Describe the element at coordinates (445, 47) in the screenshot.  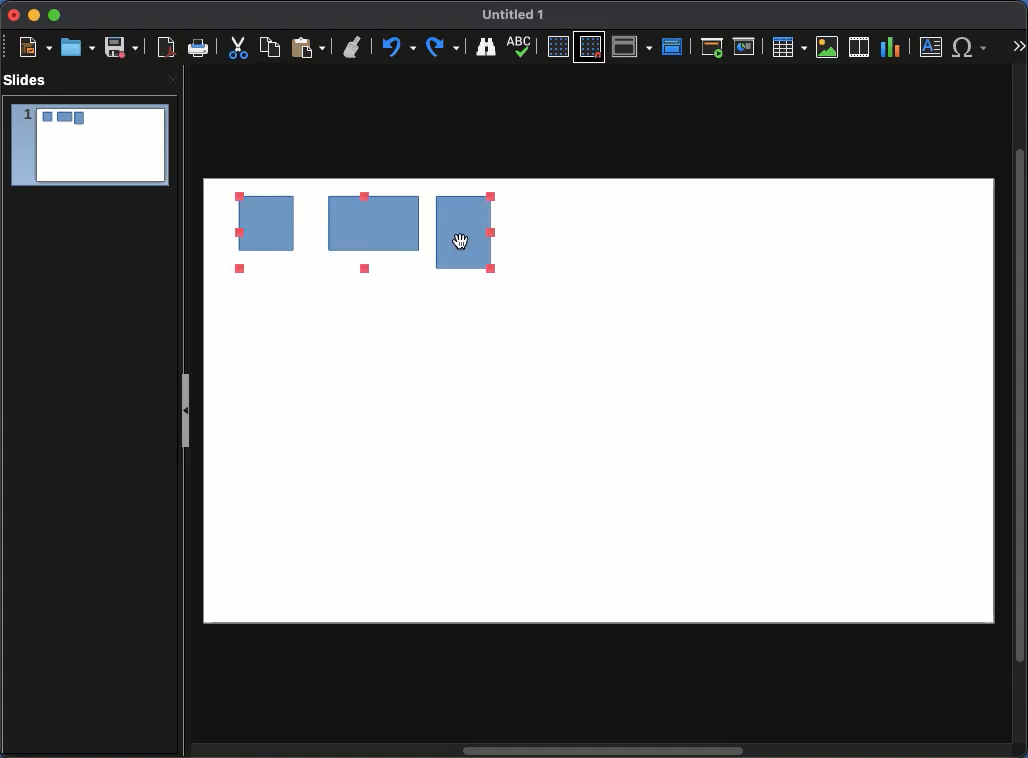
I see `Redo` at that location.